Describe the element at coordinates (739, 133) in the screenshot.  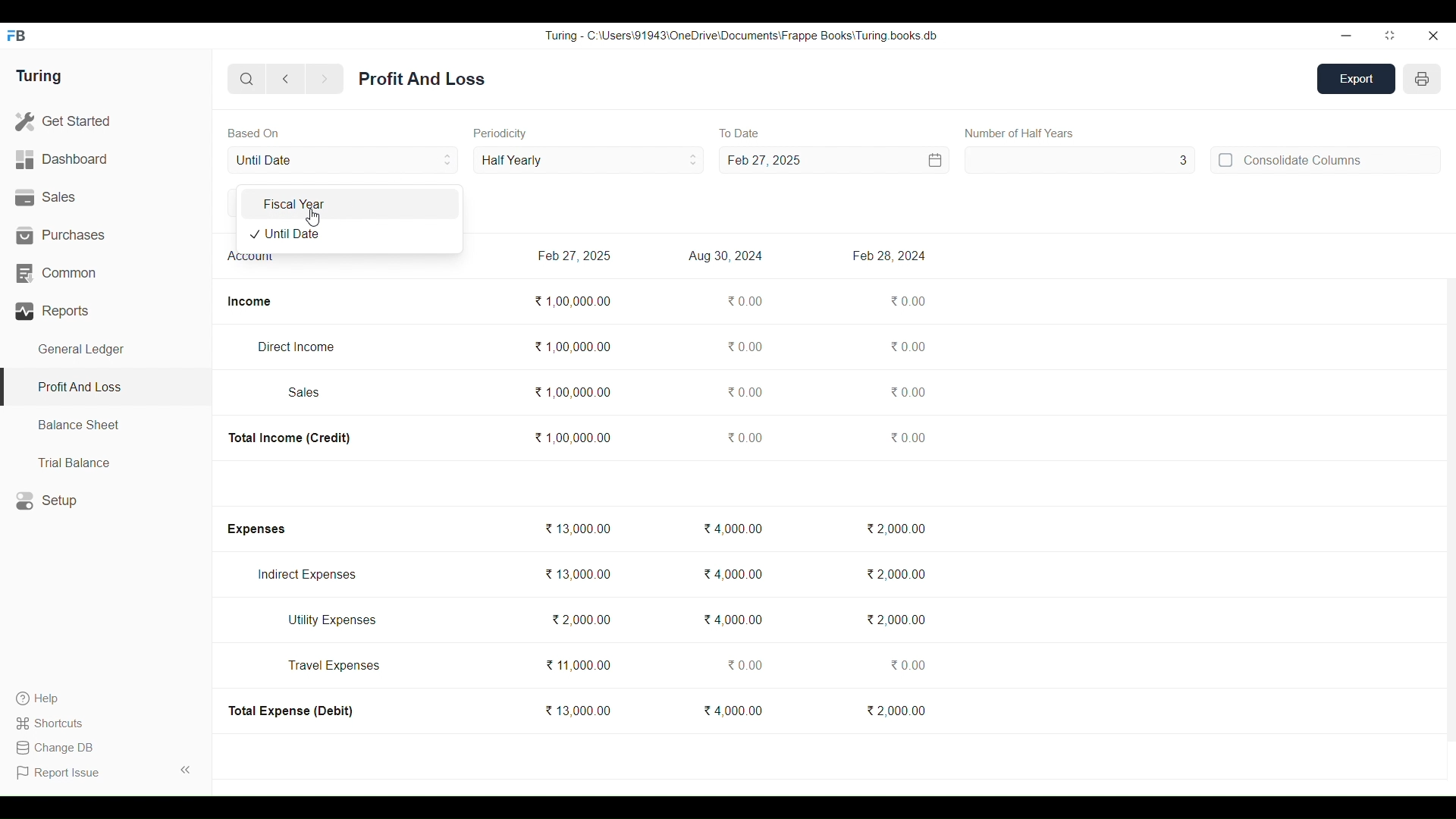
I see `To Date` at that location.